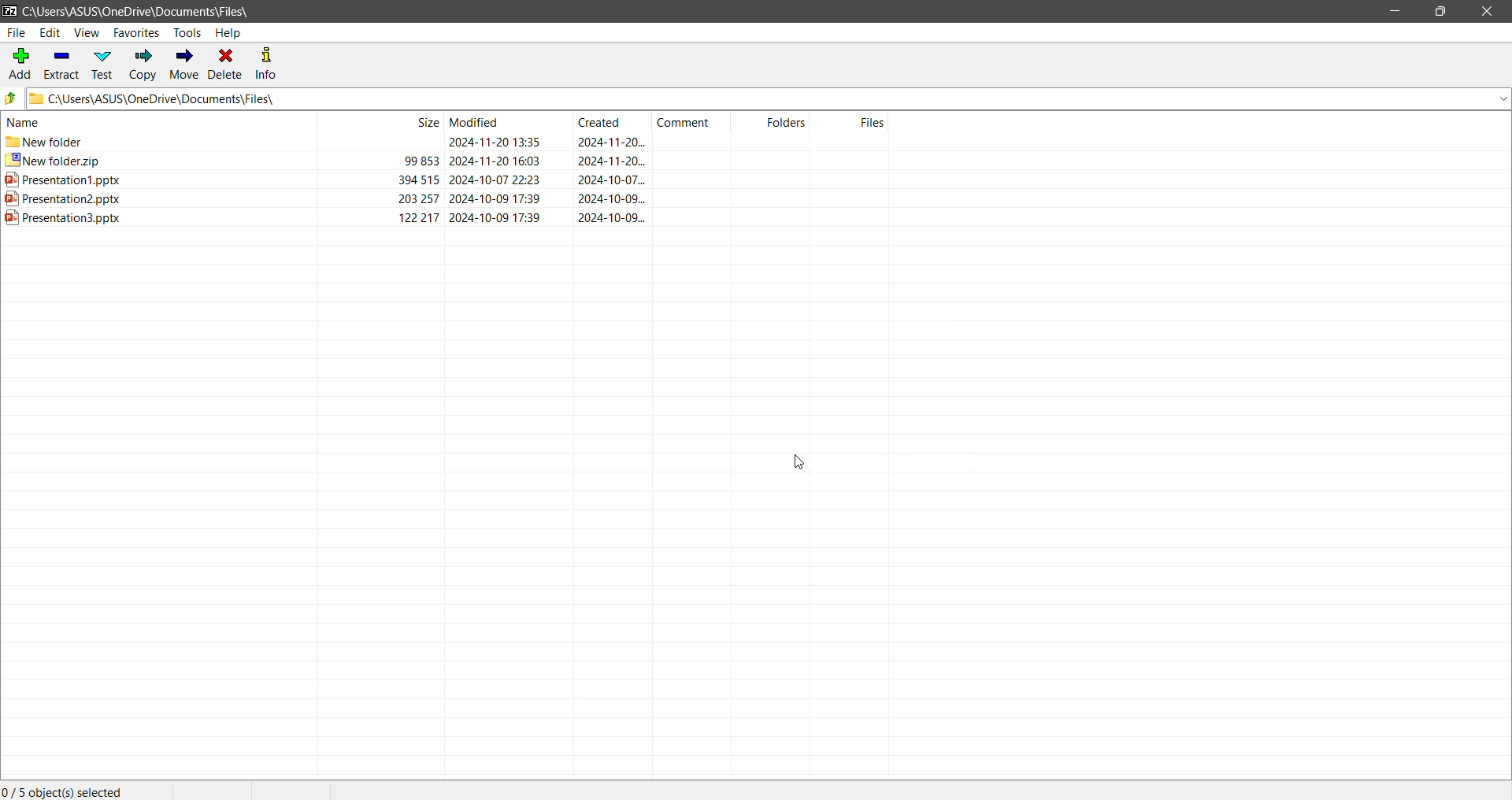 This screenshot has height=800, width=1512. Describe the element at coordinates (853, 122) in the screenshot. I see `Files` at that location.